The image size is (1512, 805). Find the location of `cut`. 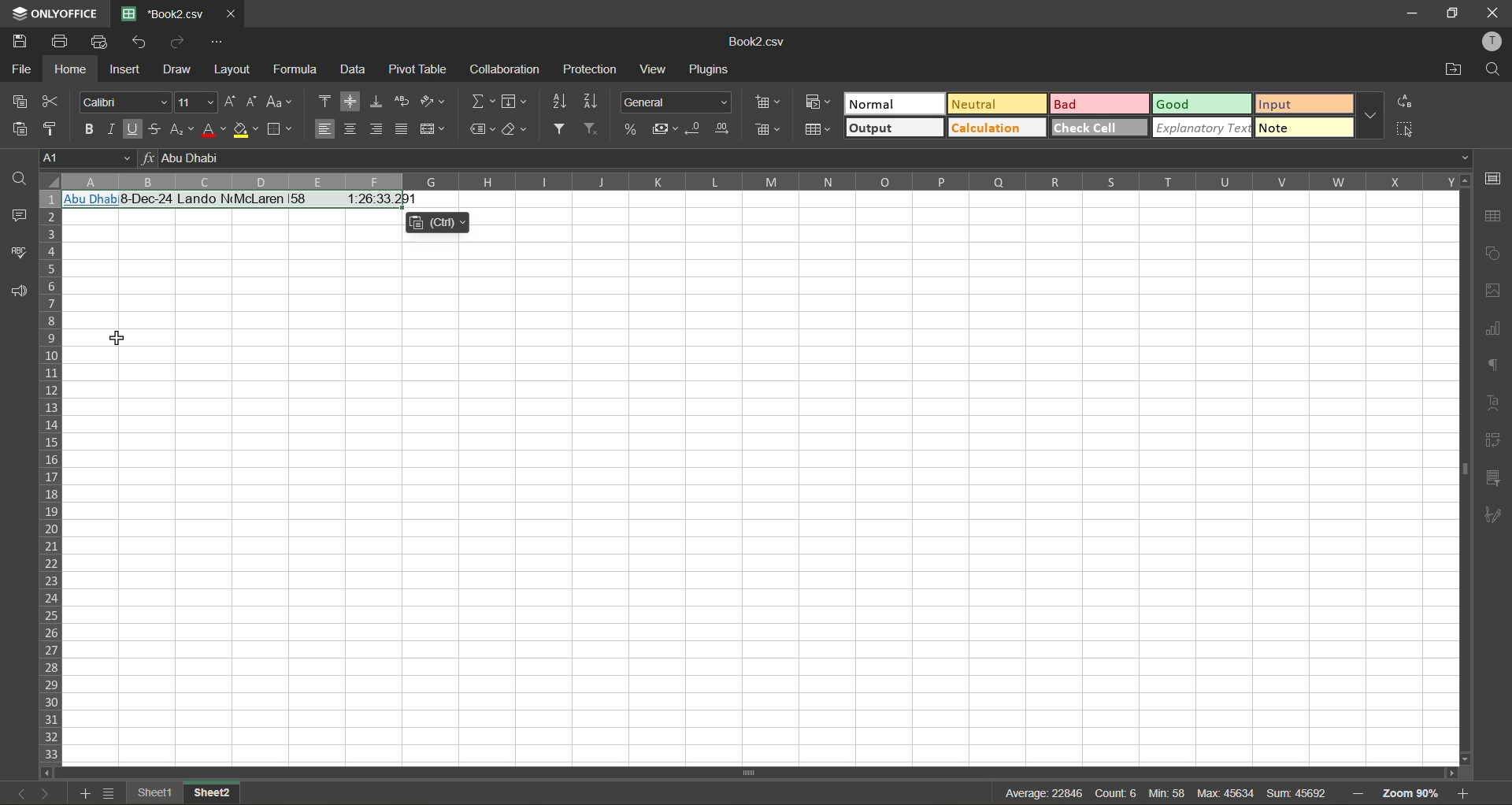

cut is located at coordinates (57, 101).